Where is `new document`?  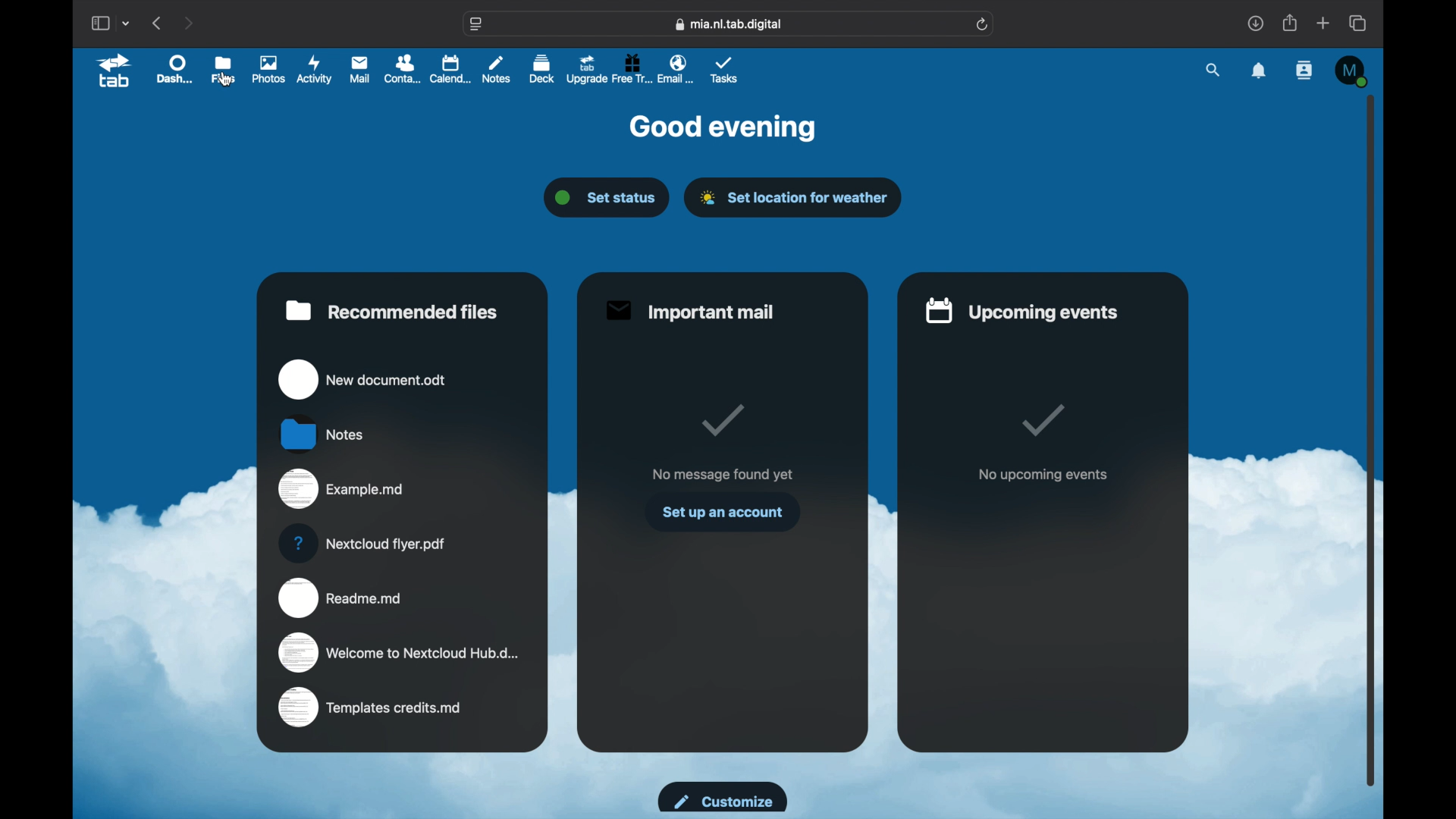
new document is located at coordinates (364, 381).